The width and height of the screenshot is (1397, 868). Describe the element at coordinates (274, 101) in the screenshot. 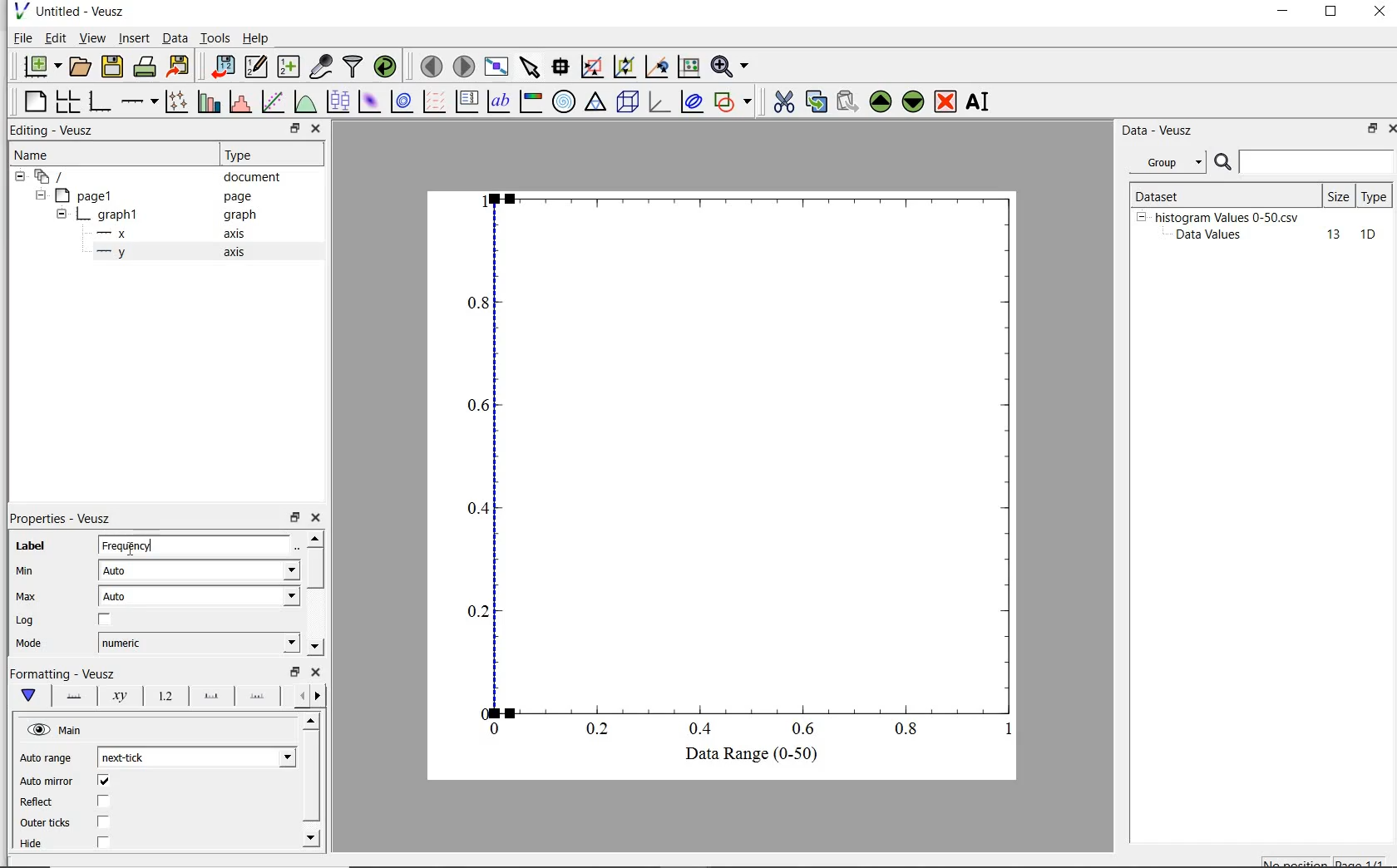

I see `fit a function to data` at that location.